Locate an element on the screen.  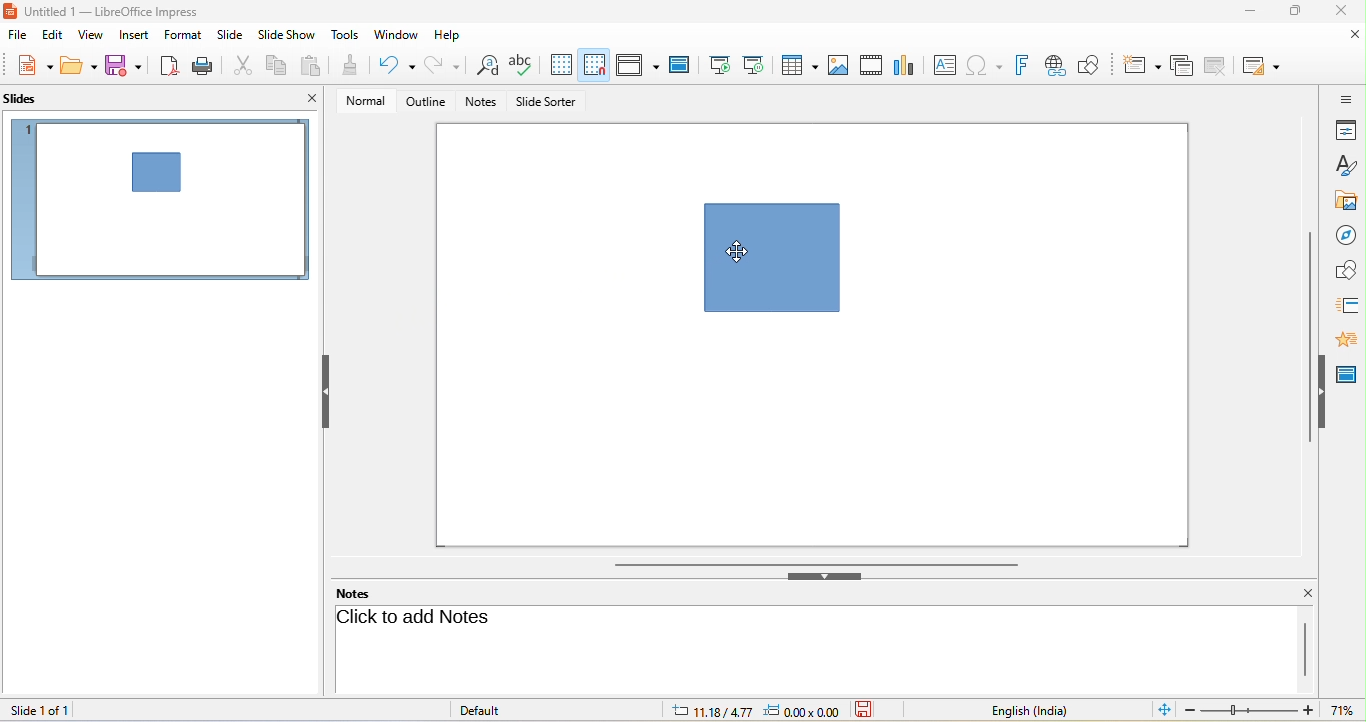
chart is located at coordinates (904, 63).